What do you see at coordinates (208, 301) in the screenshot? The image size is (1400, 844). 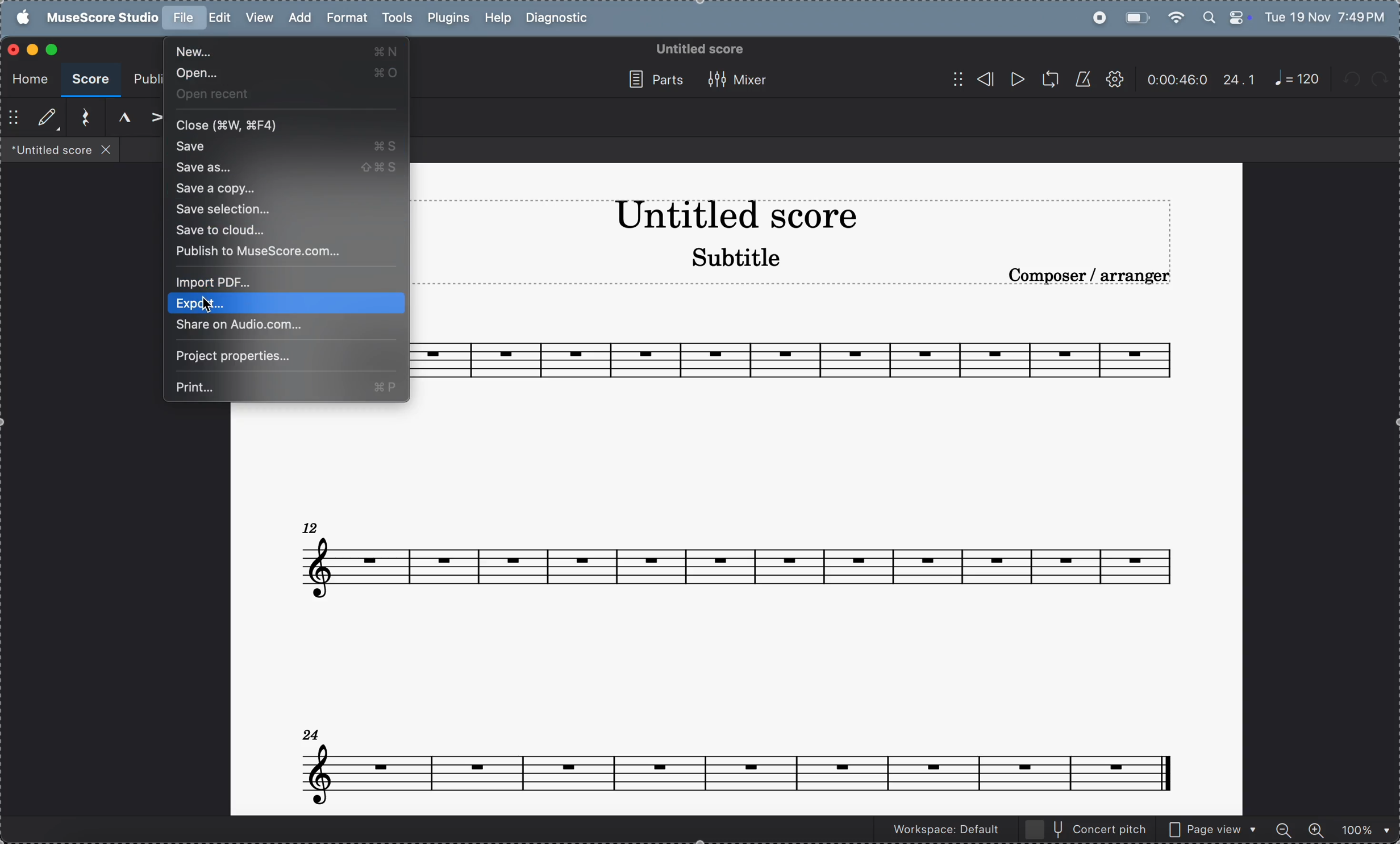 I see `cursor` at bounding box center [208, 301].